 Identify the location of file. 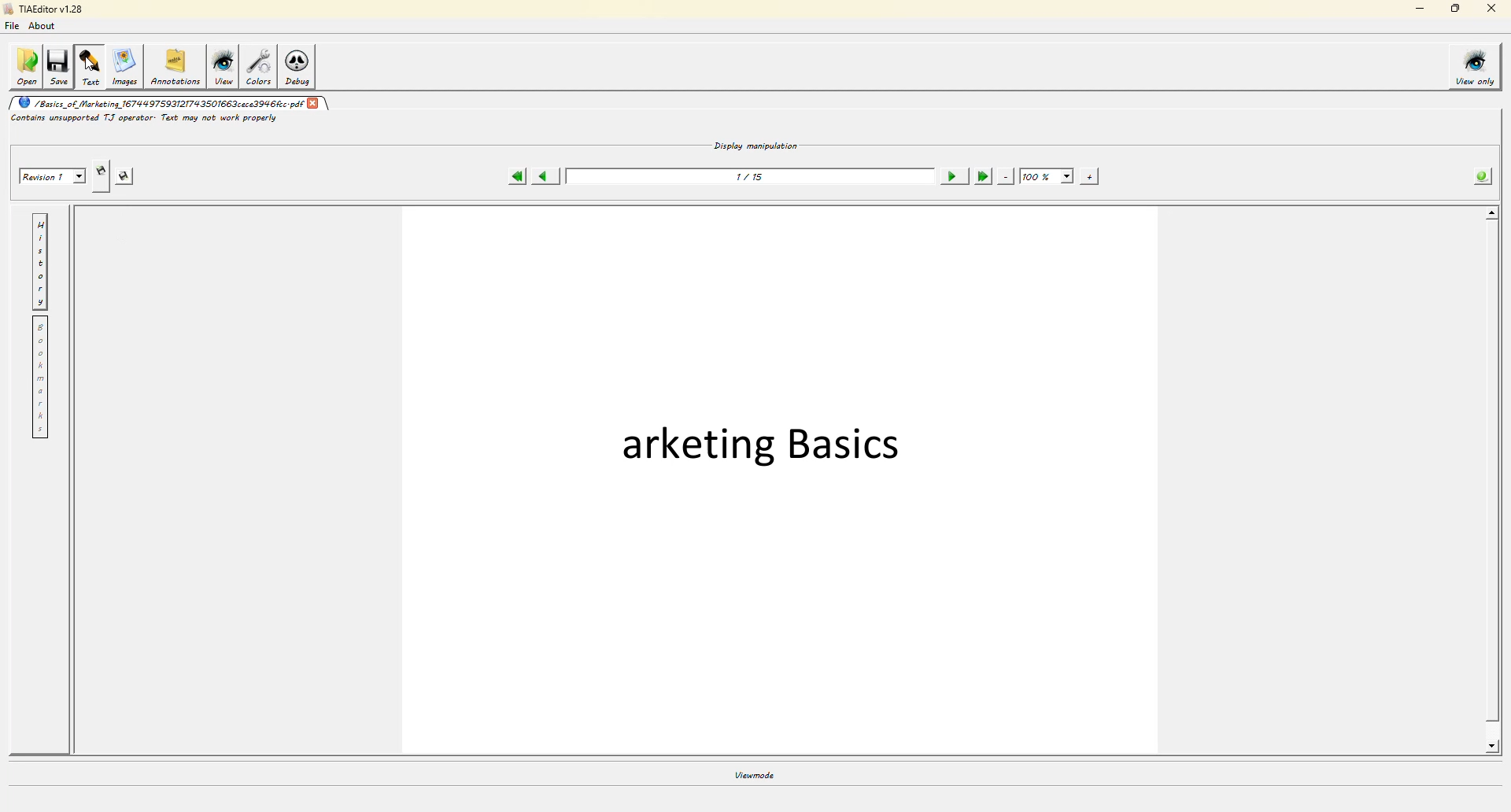
(16, 28).